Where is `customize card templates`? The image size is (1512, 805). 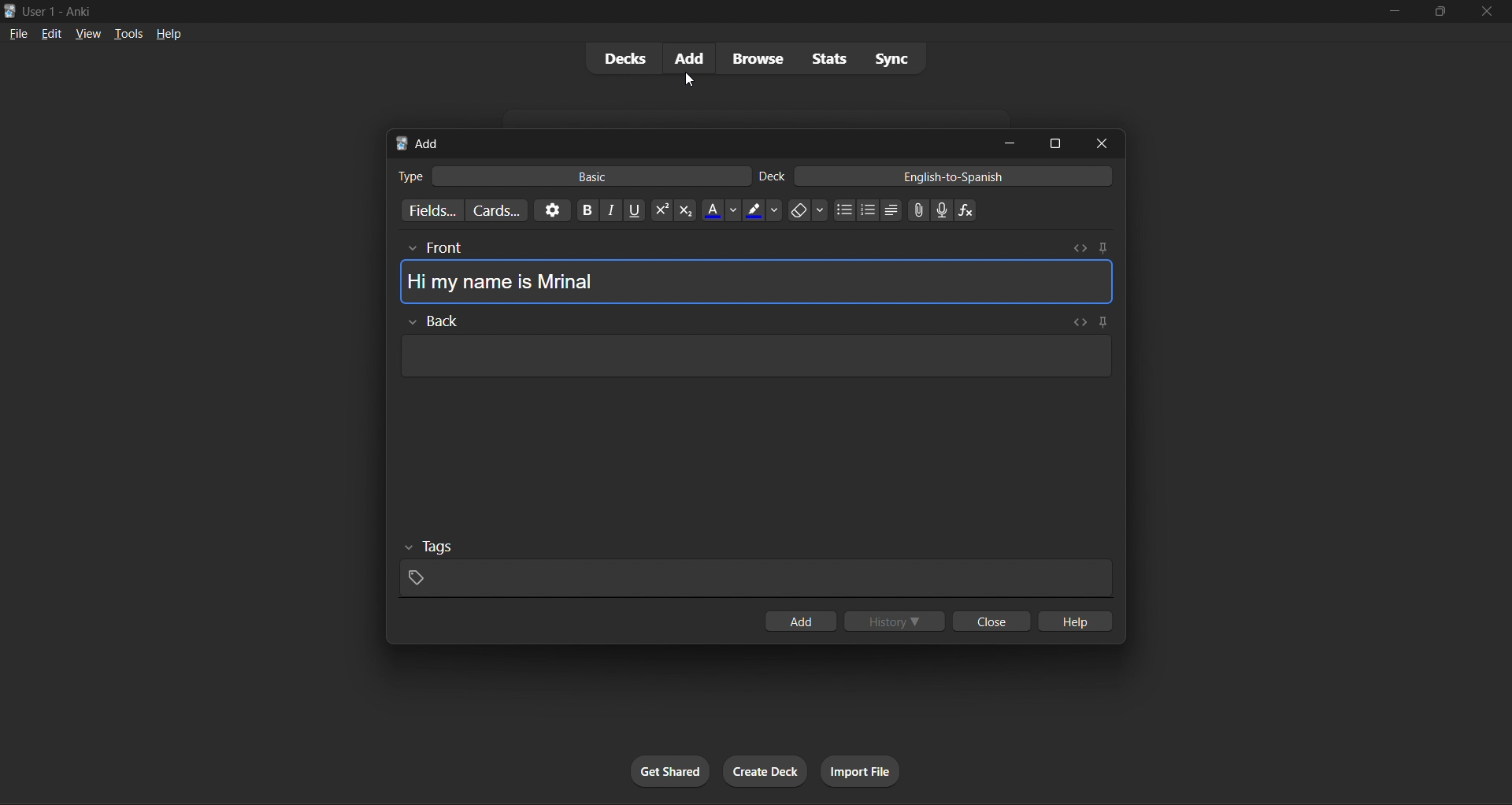 customize card templates is located at coordinates (498, 208).